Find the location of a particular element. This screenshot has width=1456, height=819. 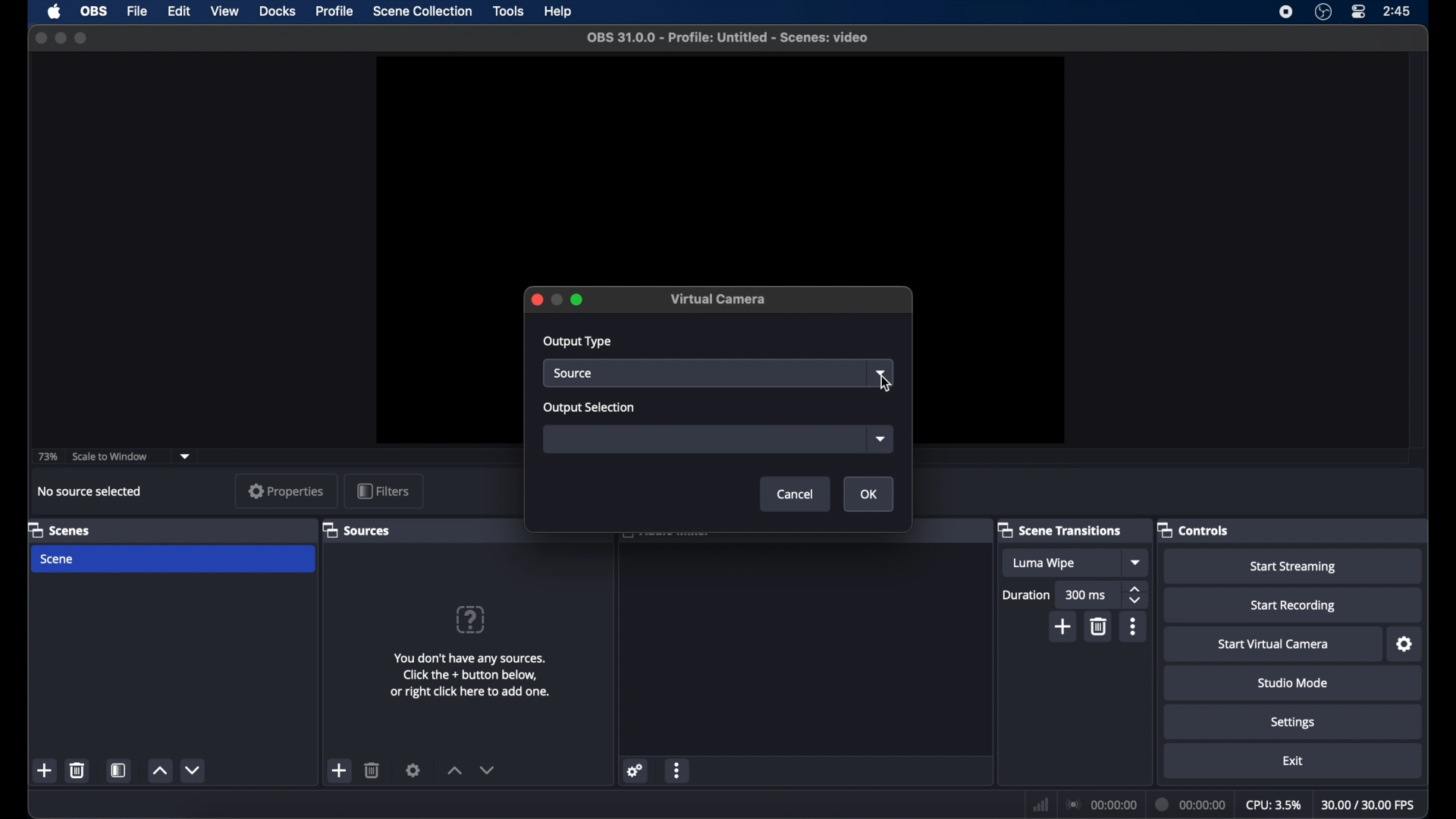

source is located at coordinates (704, 373).